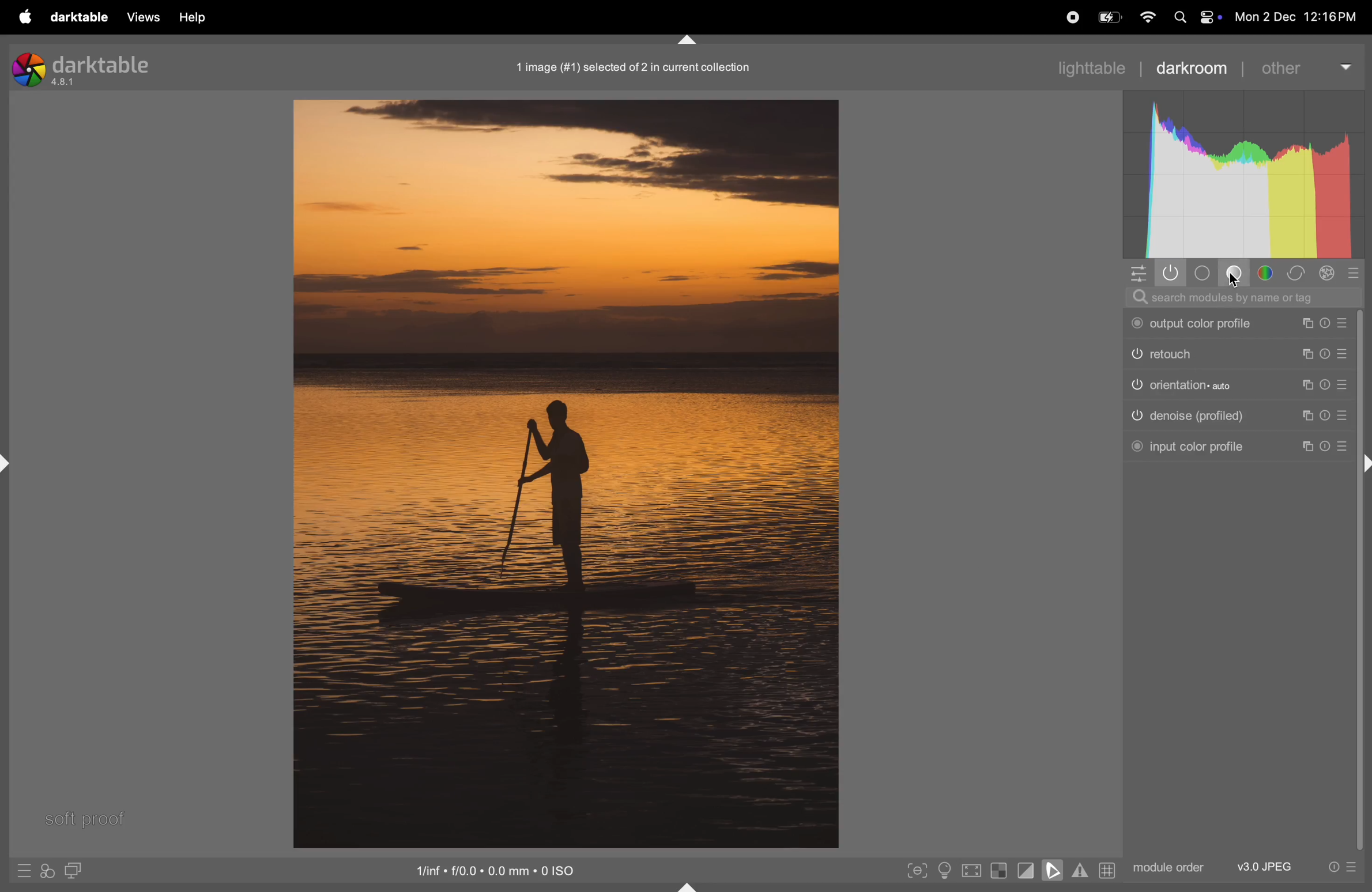 Image resolution: width=1372 pixels, height=892 pixels. What do you see at coordinates (1106, 870) in the screenshot?
I see `grid` at bounding box center [1106, 870].